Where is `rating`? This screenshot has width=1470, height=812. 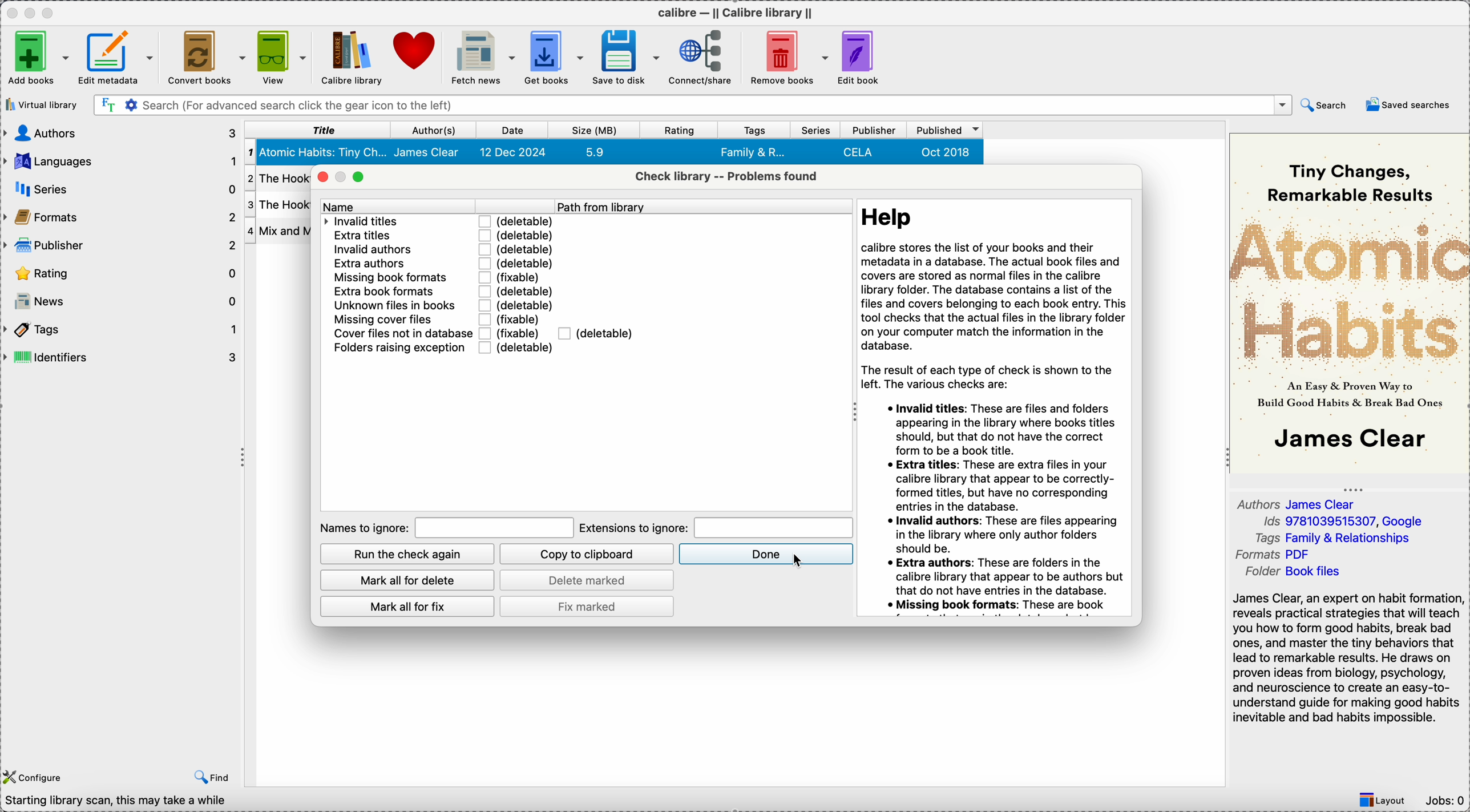
rating is located at coordinates (120, 273).